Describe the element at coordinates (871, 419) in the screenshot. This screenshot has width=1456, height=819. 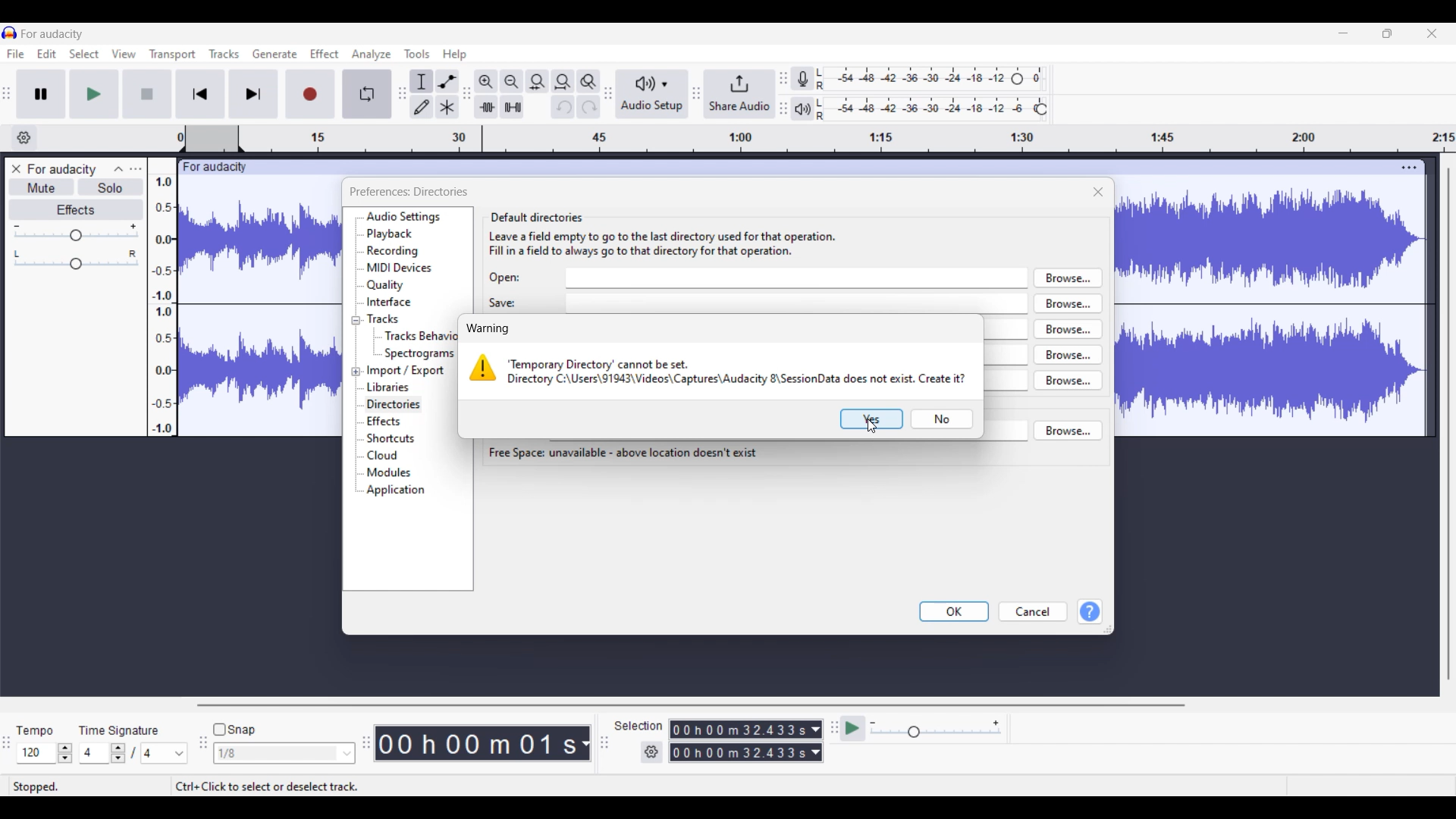
I see `Yes` at that location.